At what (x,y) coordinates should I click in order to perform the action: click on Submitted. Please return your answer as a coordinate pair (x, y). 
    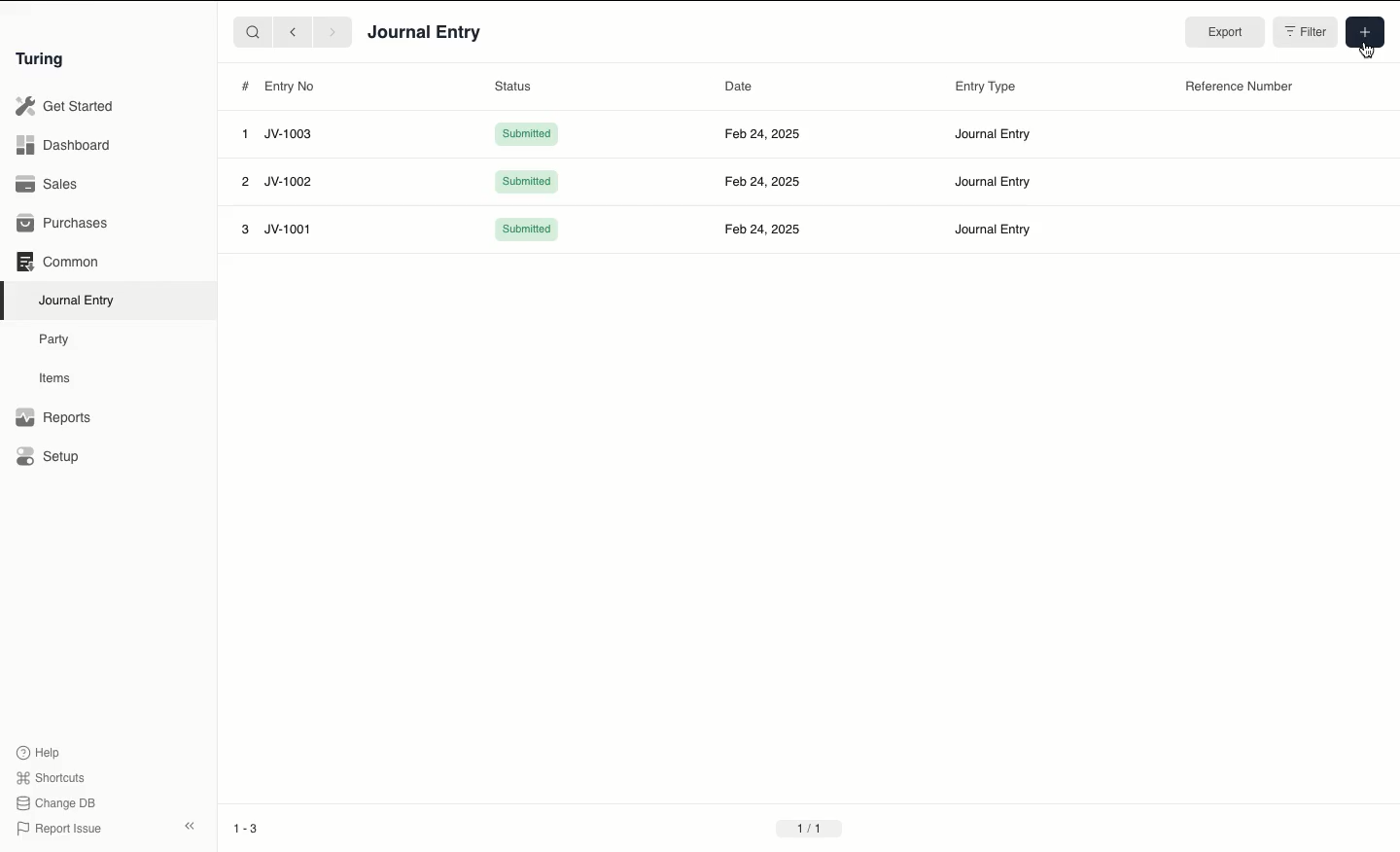
    Looking at the image, I should click on (526, 134).